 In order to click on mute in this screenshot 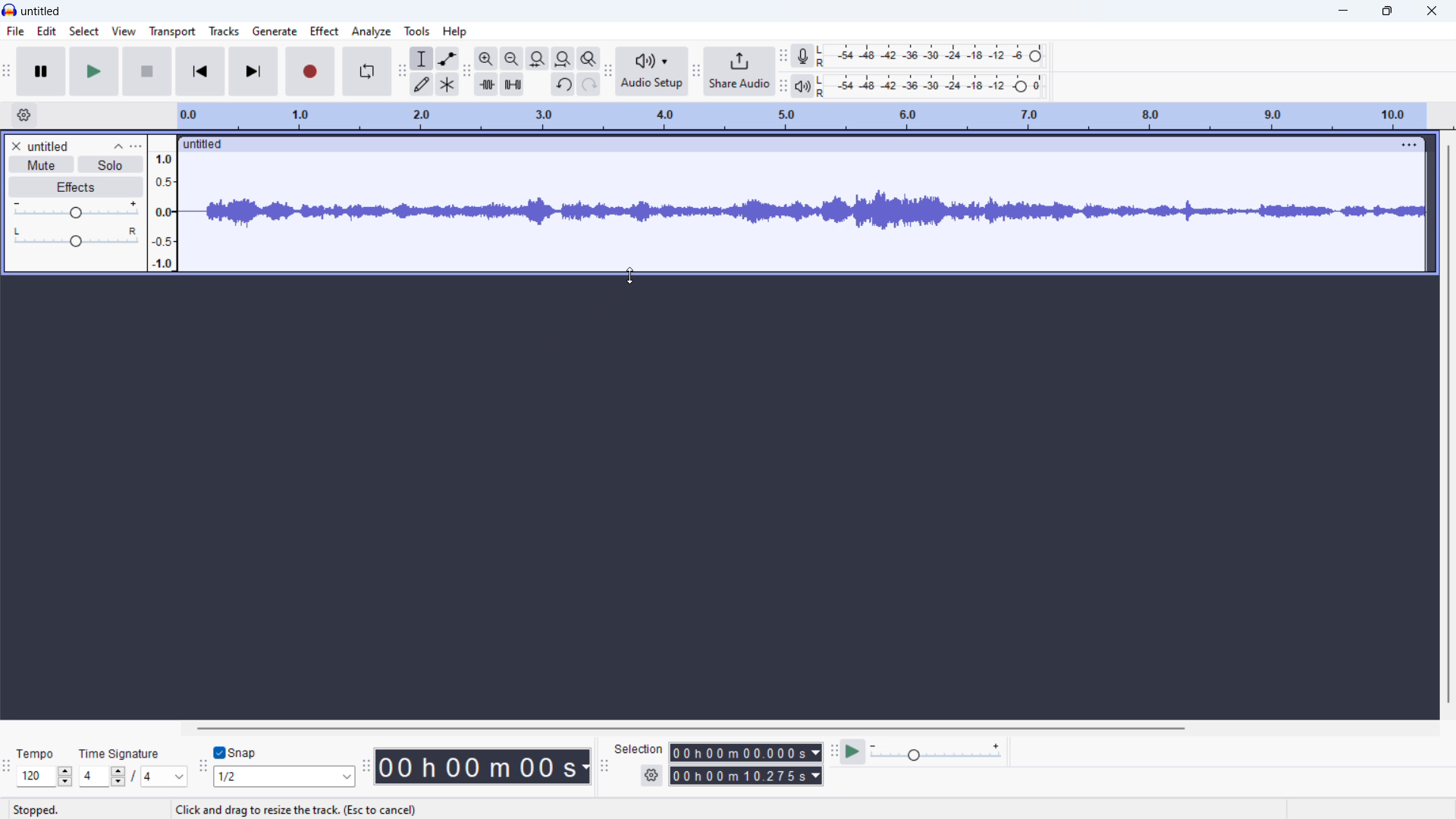, I will do `click(41, 164)`.